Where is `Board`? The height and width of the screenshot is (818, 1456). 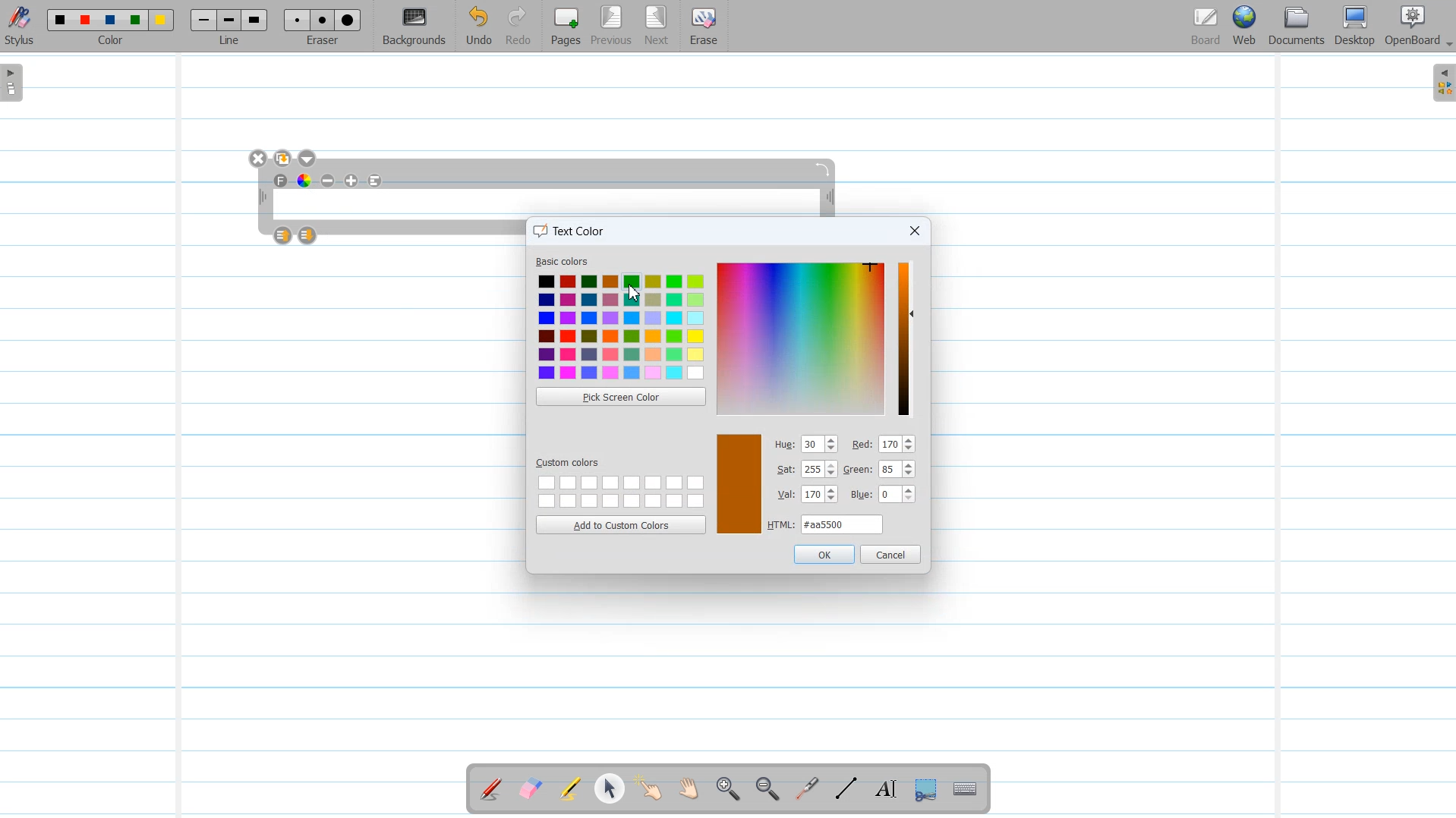 Board is located at coordinates (1205, 27).